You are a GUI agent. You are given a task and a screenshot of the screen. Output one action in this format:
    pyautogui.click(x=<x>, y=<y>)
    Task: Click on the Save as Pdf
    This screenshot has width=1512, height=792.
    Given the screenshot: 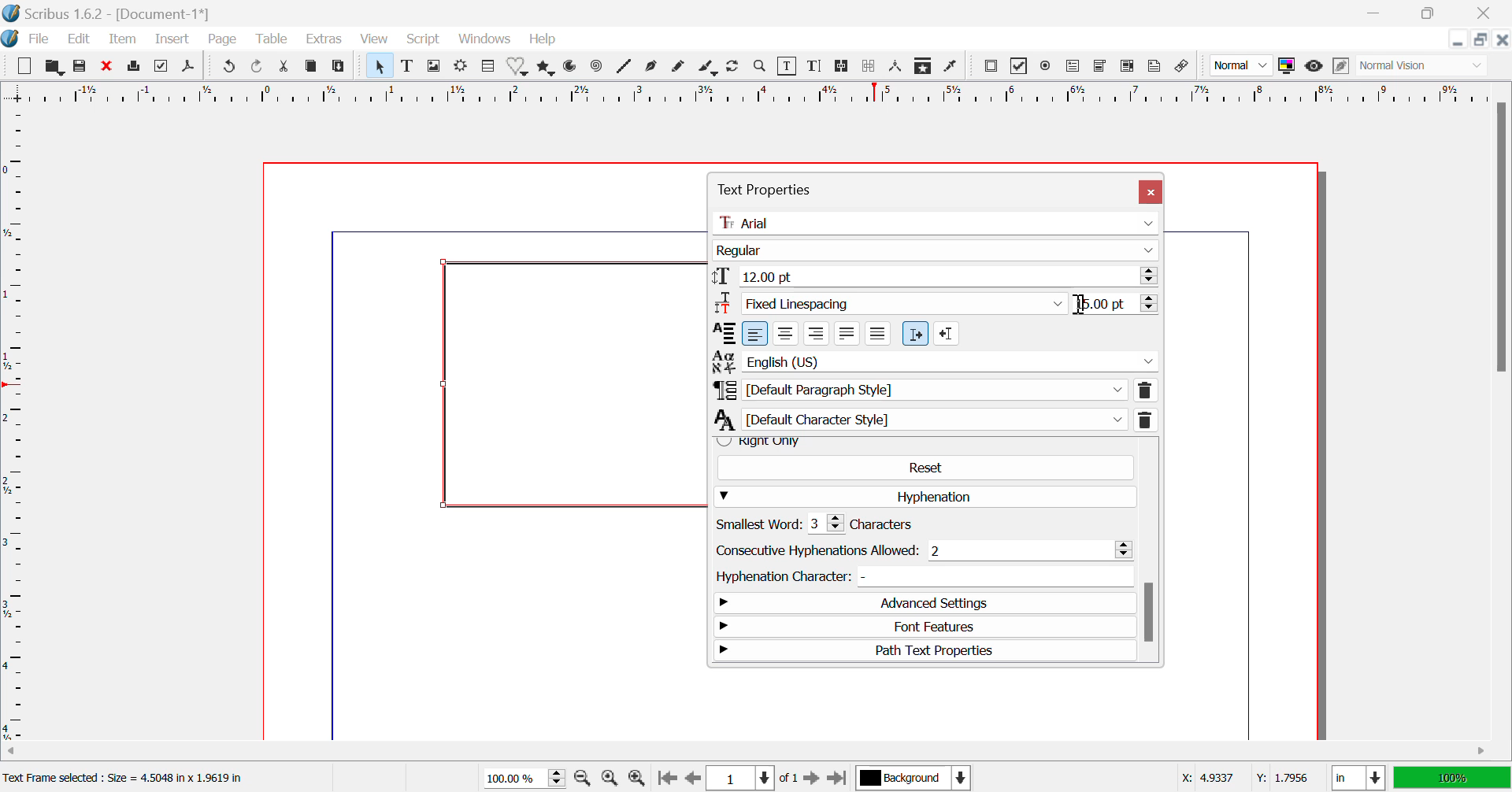 What is the action you would take?
    pyautogui.click(x=192, y=67)
    